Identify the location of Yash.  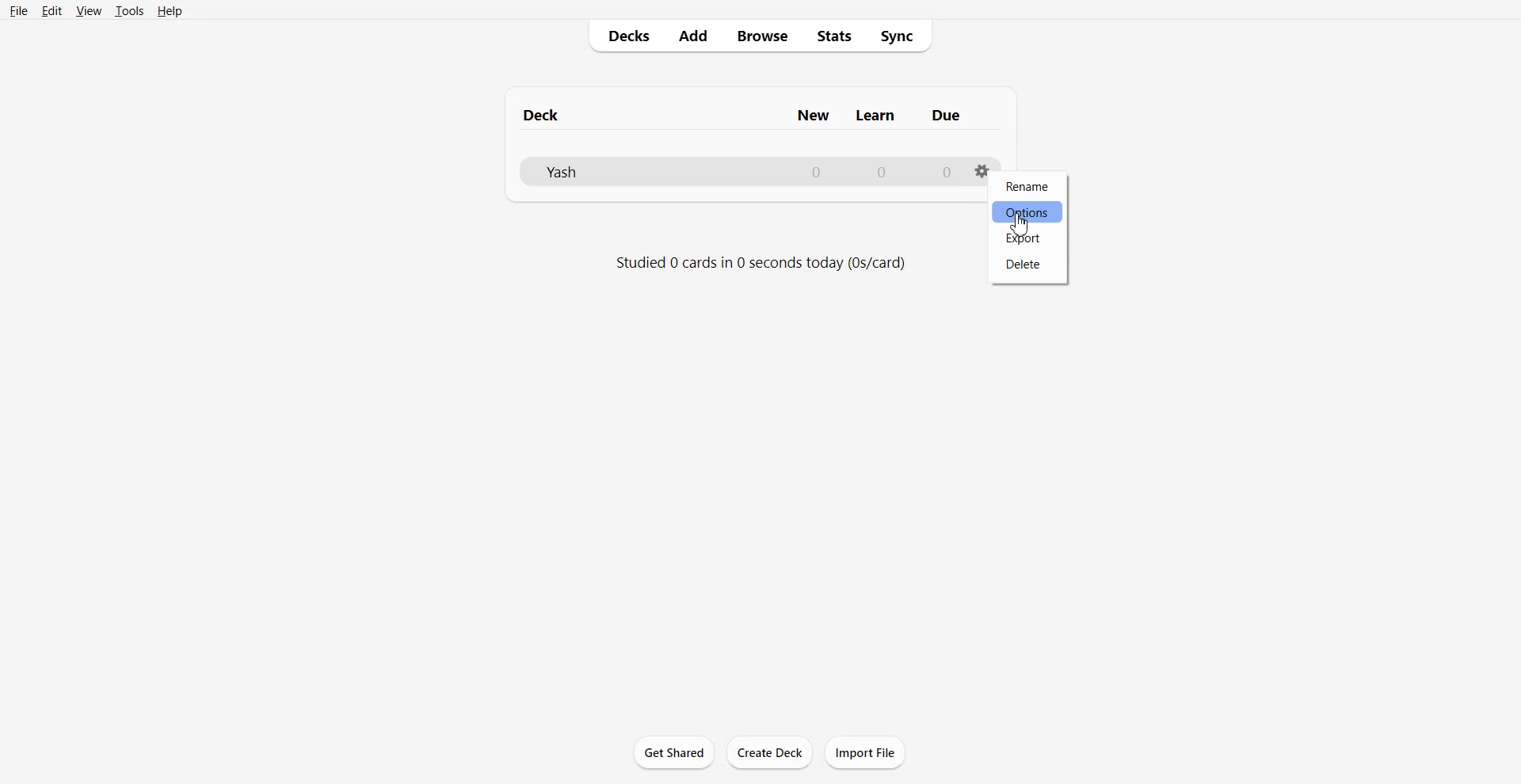
(745, 173).